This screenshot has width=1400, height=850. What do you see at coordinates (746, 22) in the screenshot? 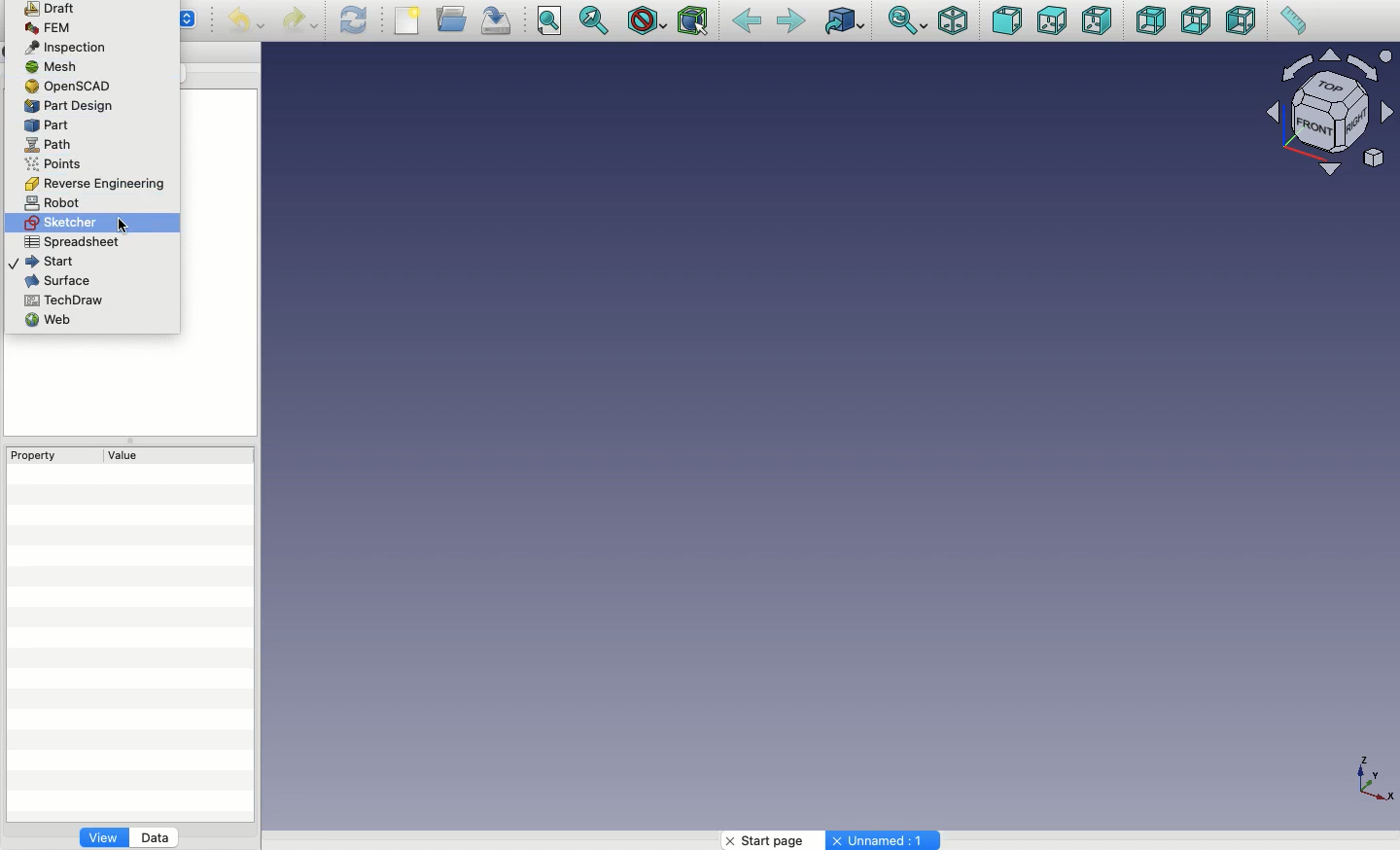
I see `Back` at bounding box center [746, 22].